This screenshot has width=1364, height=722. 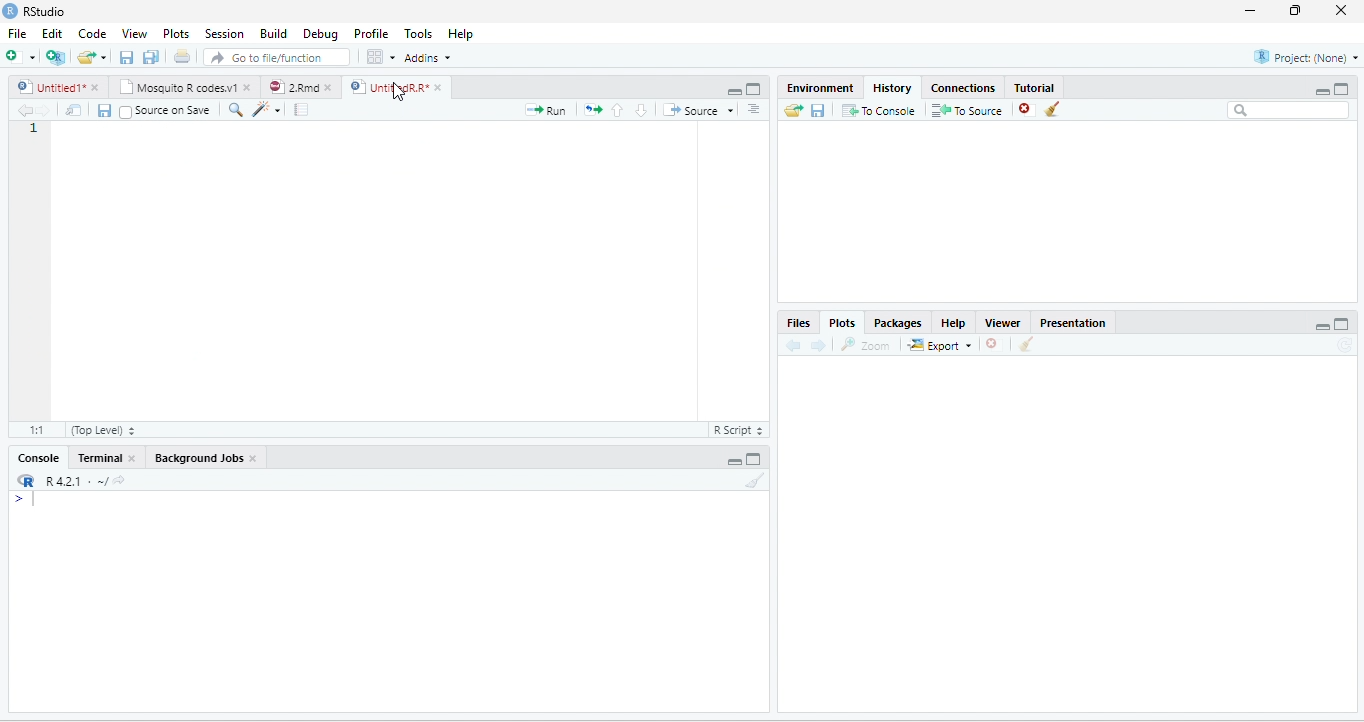 What do you see at coordinates (182, 56) in the screenshot?
I see `Print the current file` at bounding box center [182, 56].